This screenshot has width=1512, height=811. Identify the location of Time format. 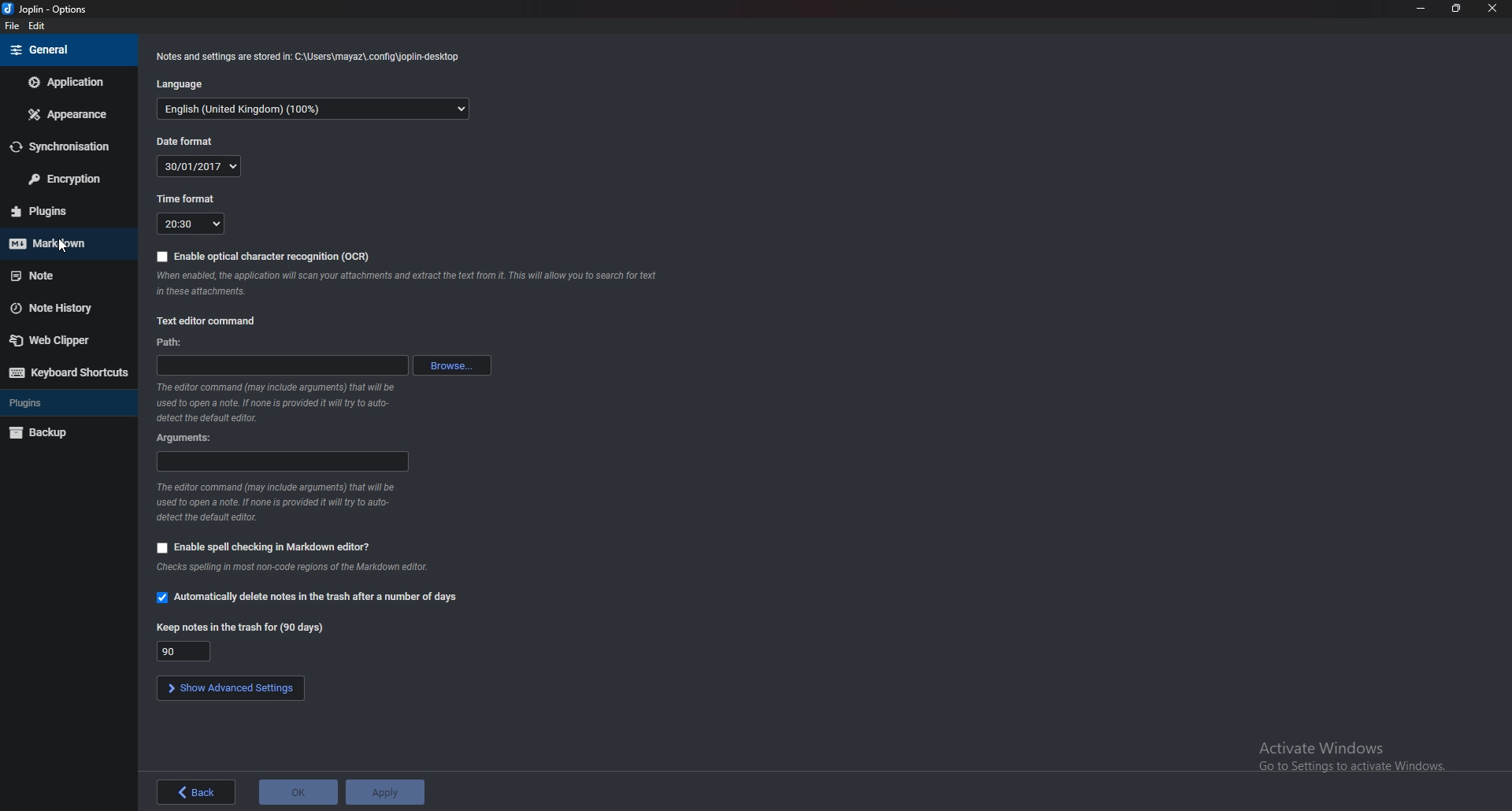
(187, 199).